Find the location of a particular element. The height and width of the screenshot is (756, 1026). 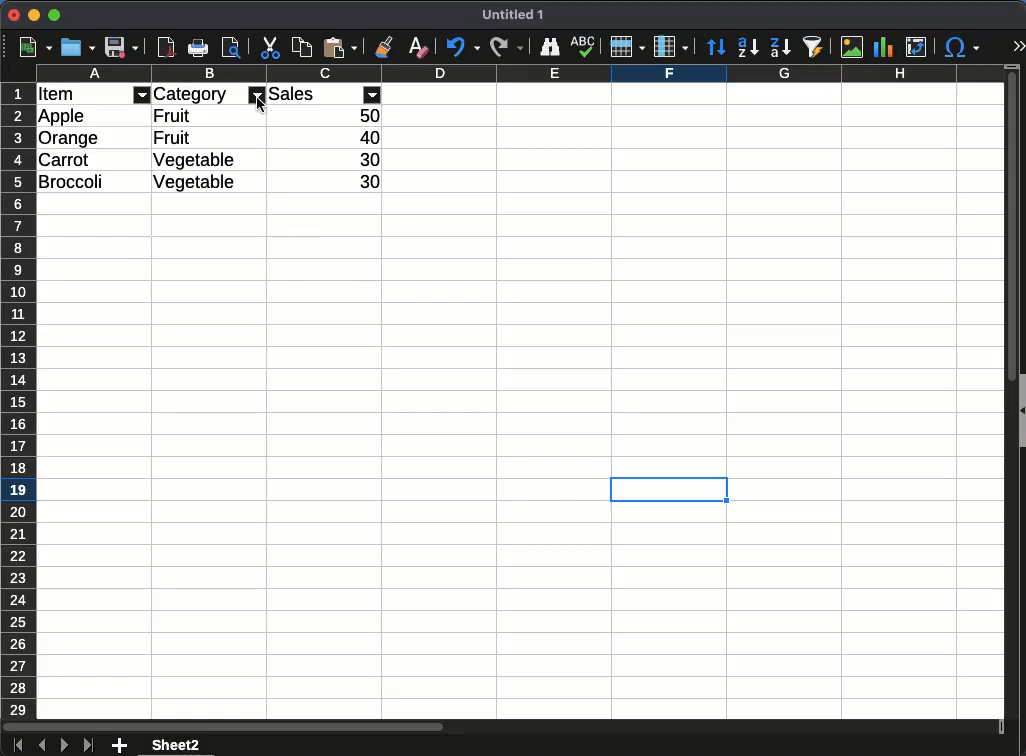

apple is located at coordinates (63, 116).